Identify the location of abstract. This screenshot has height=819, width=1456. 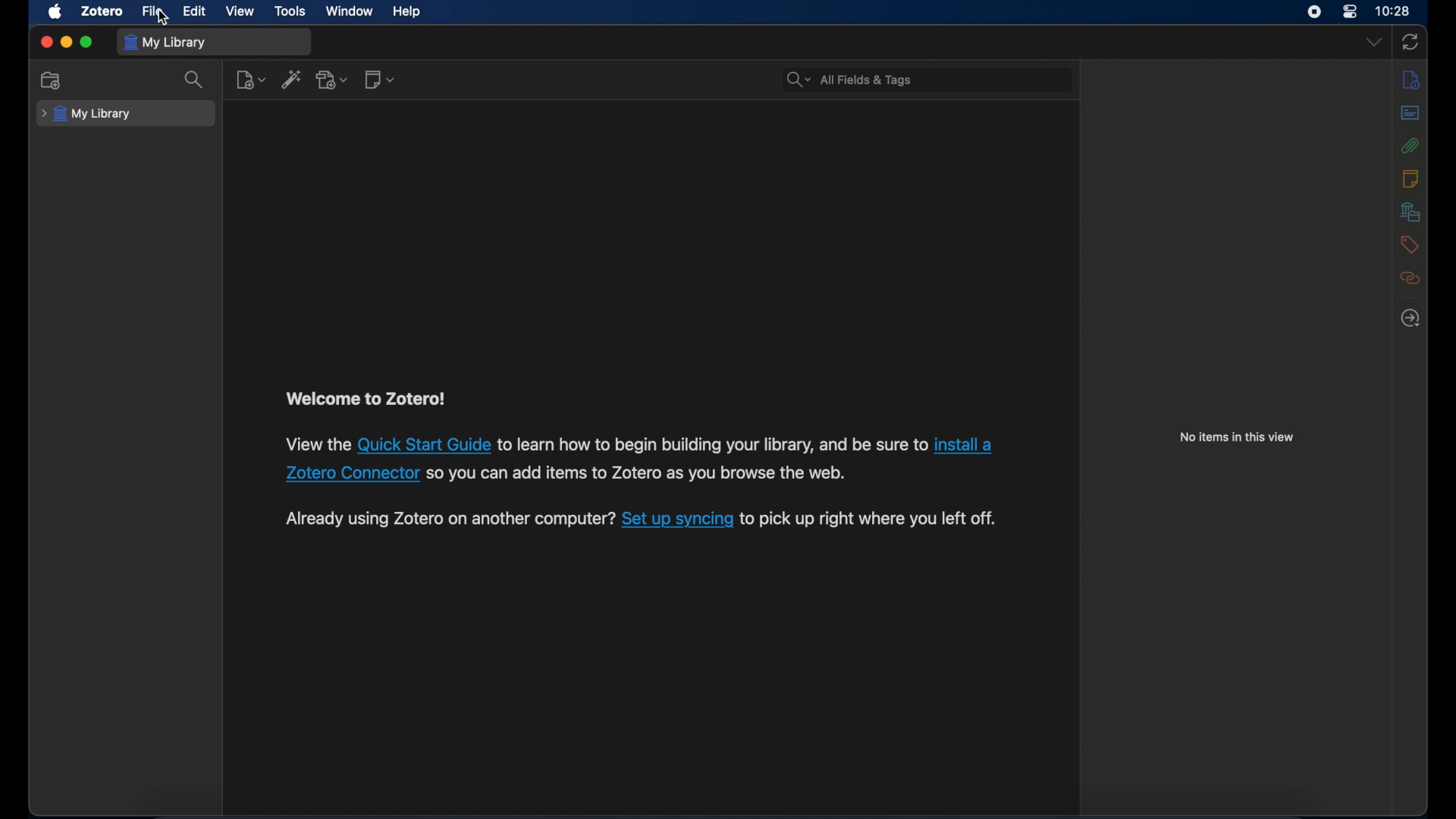
(1411, 112).